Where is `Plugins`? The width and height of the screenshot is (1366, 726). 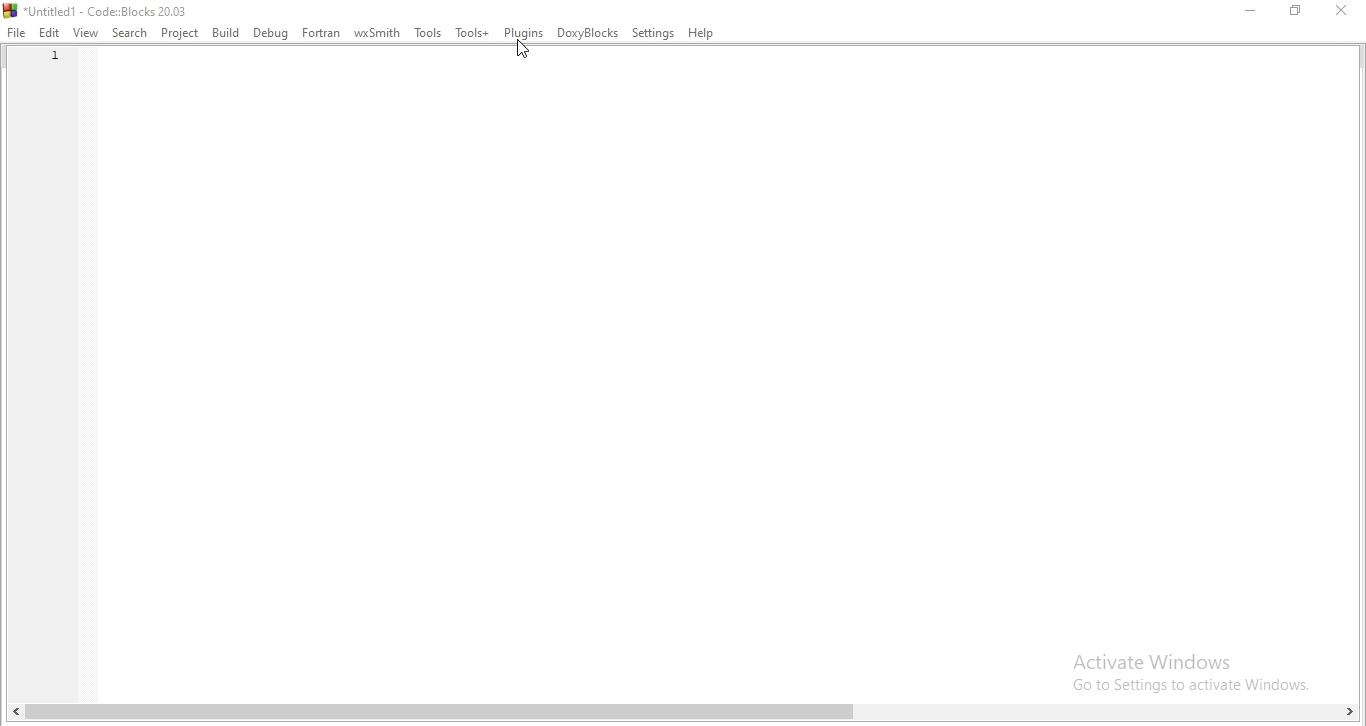
Plugins is located at coordinates (523, 31).